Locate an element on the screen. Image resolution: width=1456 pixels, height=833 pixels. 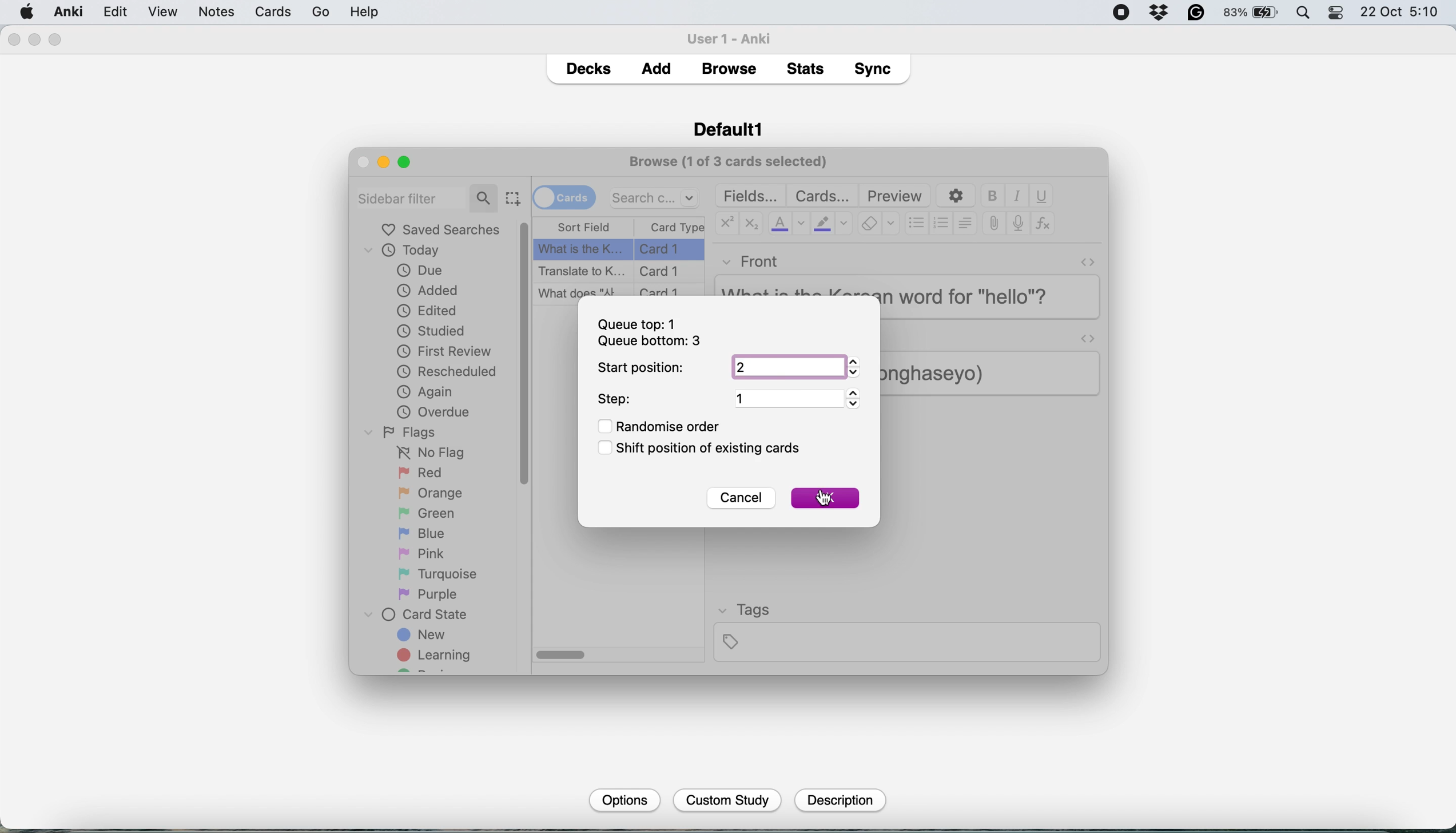
no flag is located at coordinates (428, 453).